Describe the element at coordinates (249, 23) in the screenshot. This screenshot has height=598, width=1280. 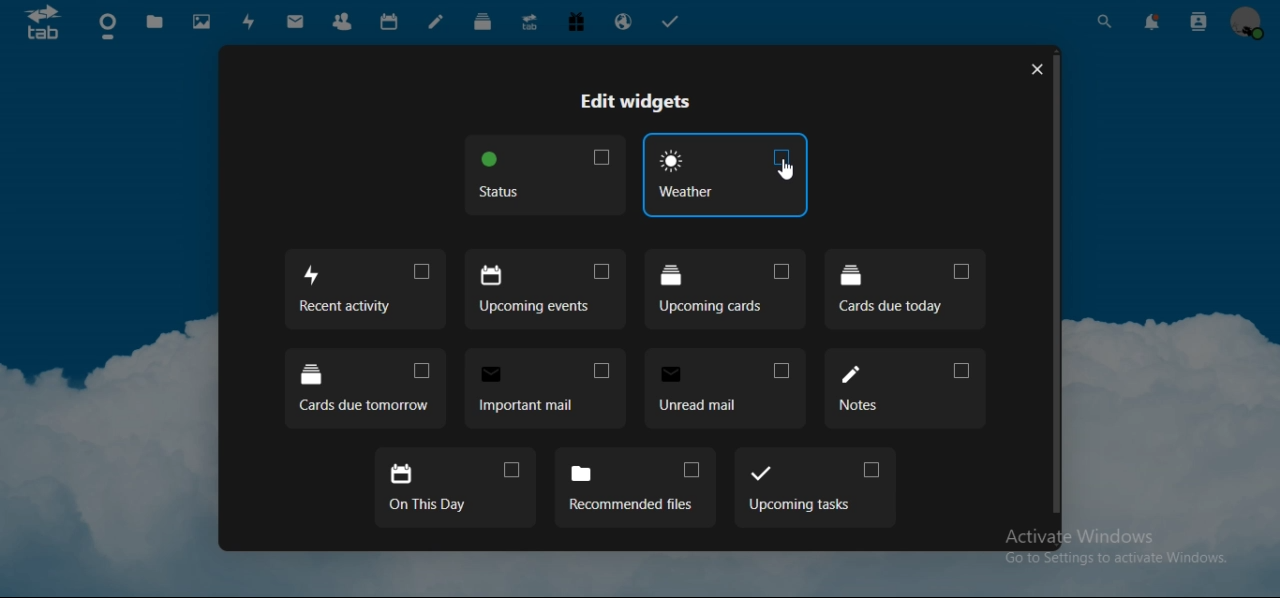
I see `activity` at that location.